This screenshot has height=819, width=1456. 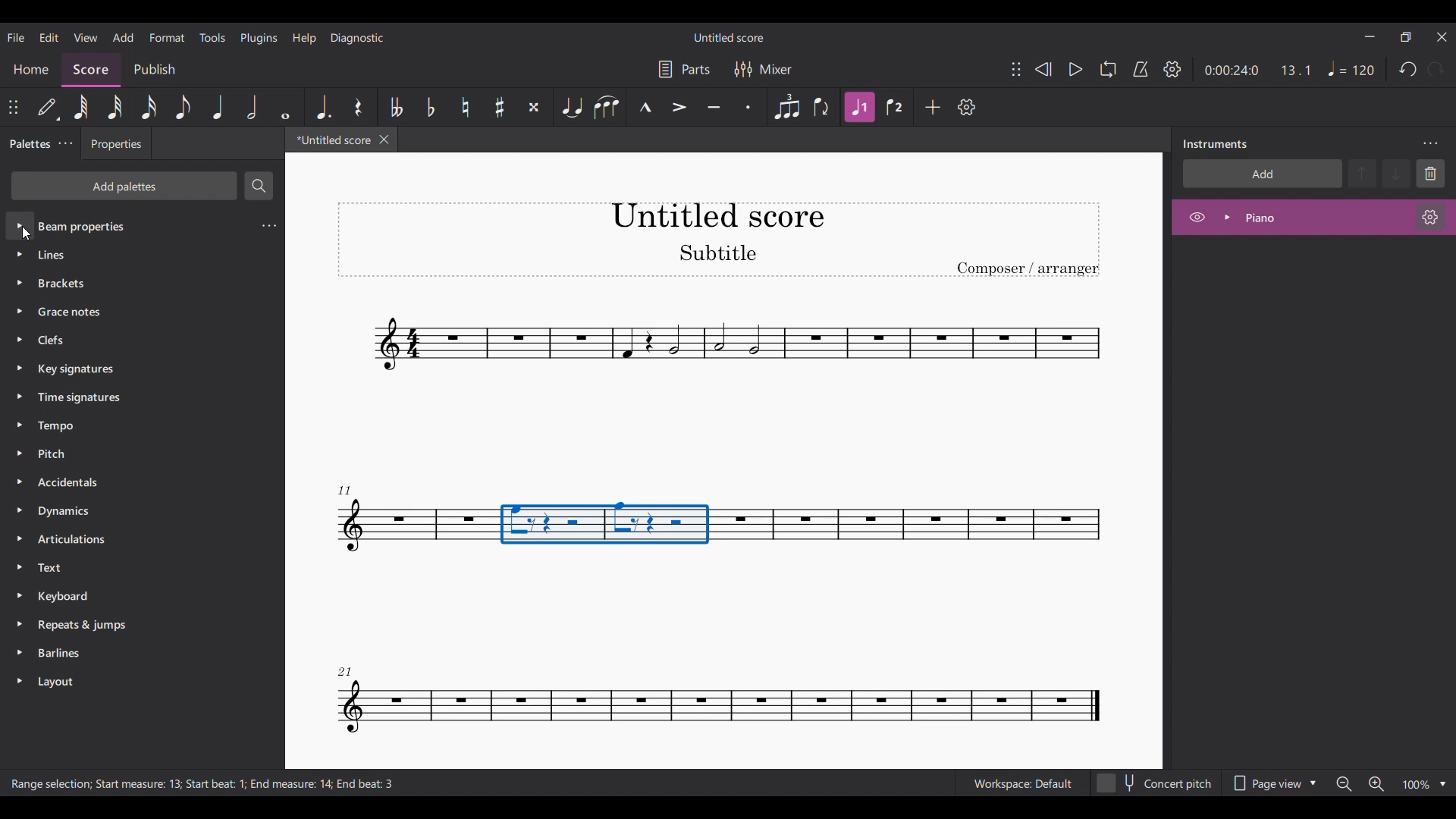 What do you see at coordinates (1443, 784) in the screenshot?
I see `Zoom options` at bounding box center [1443, 784].